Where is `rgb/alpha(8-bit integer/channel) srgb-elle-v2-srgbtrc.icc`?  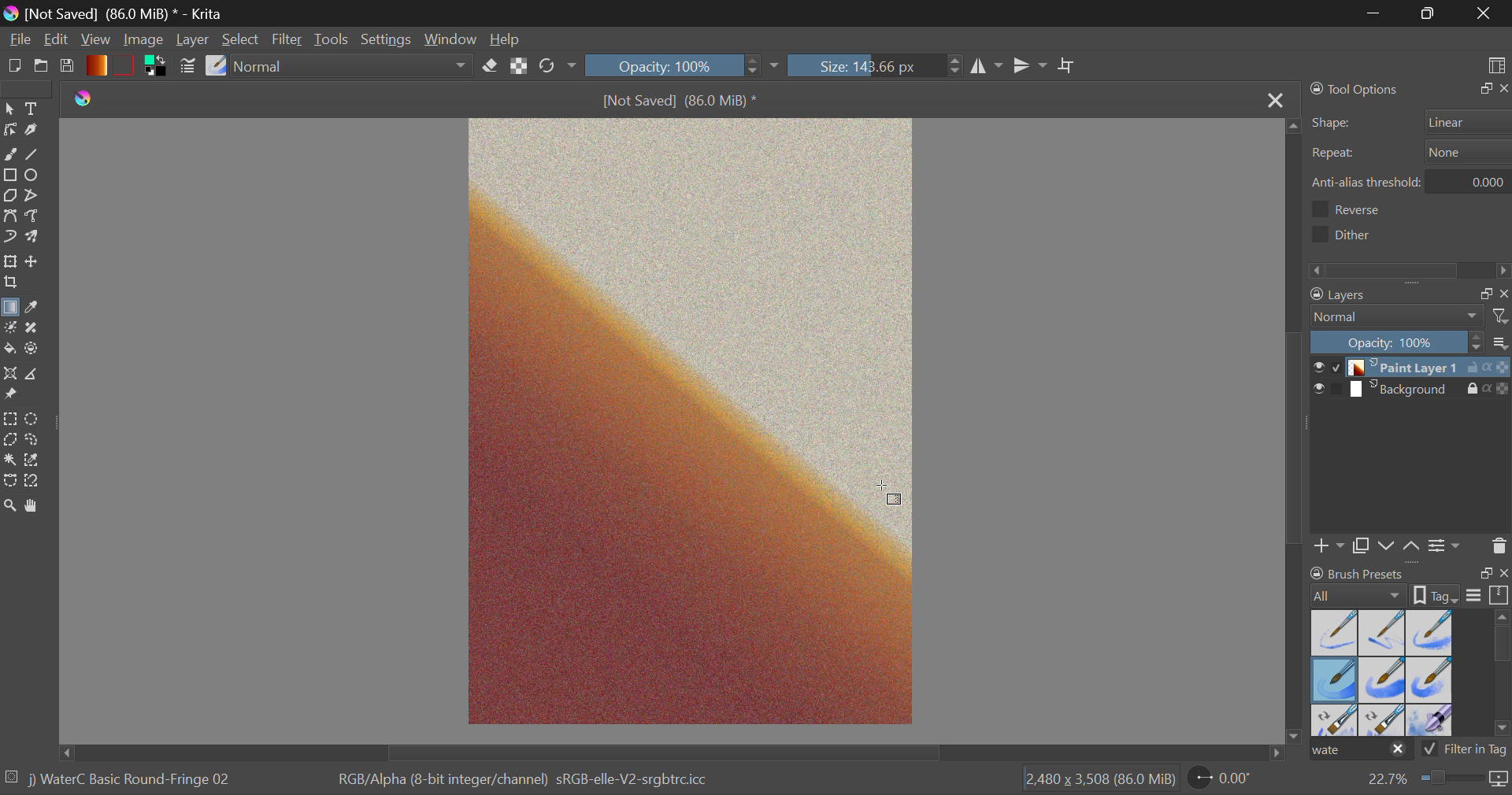 rgb/alpha(8-bit integer/channel) srgb-elle-v2-srgbtrc.icc is located at coordinates (533, 784).